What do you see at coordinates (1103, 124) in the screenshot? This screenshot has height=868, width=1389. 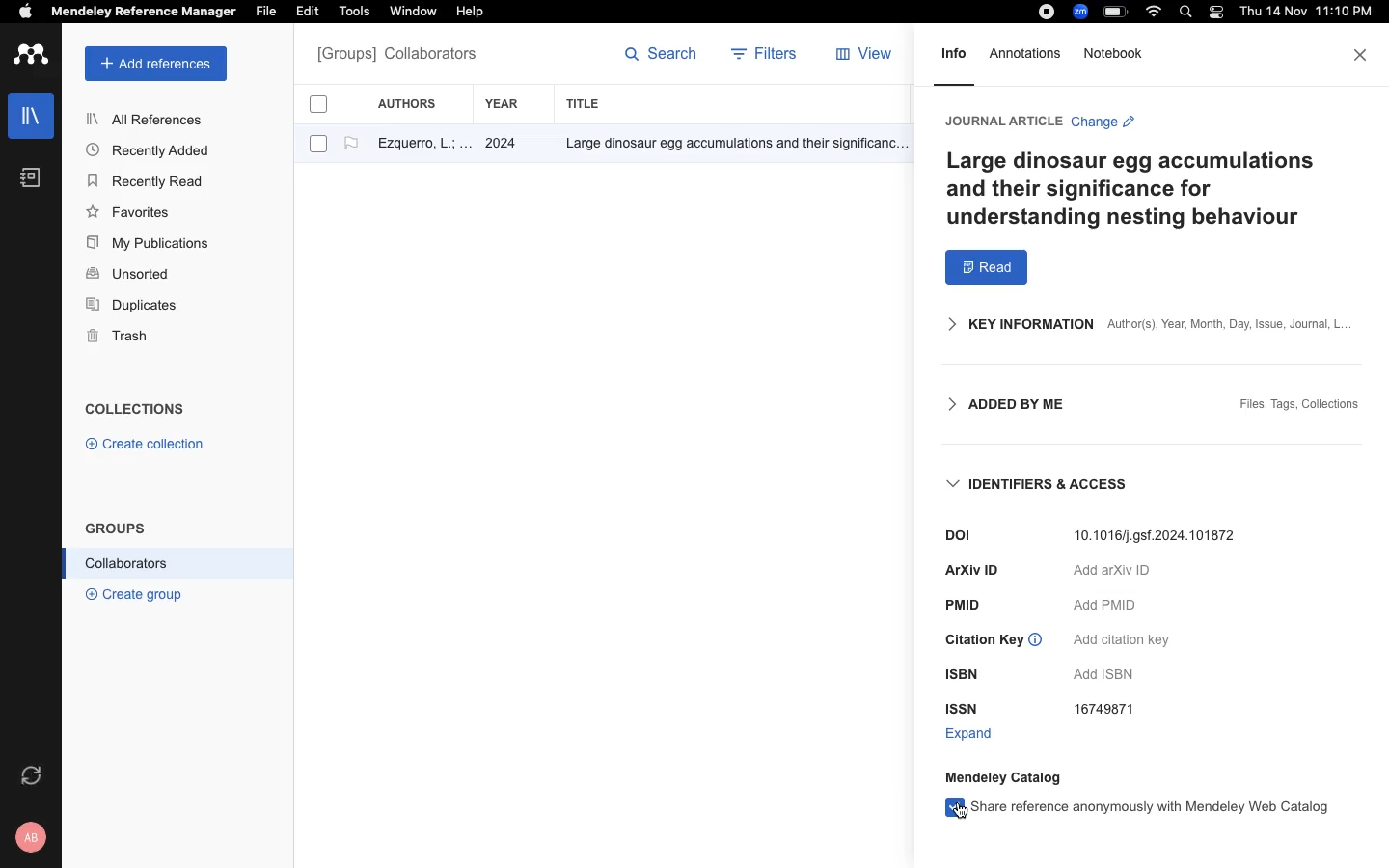 I see `Change ` at bounding box center [1103, 124].